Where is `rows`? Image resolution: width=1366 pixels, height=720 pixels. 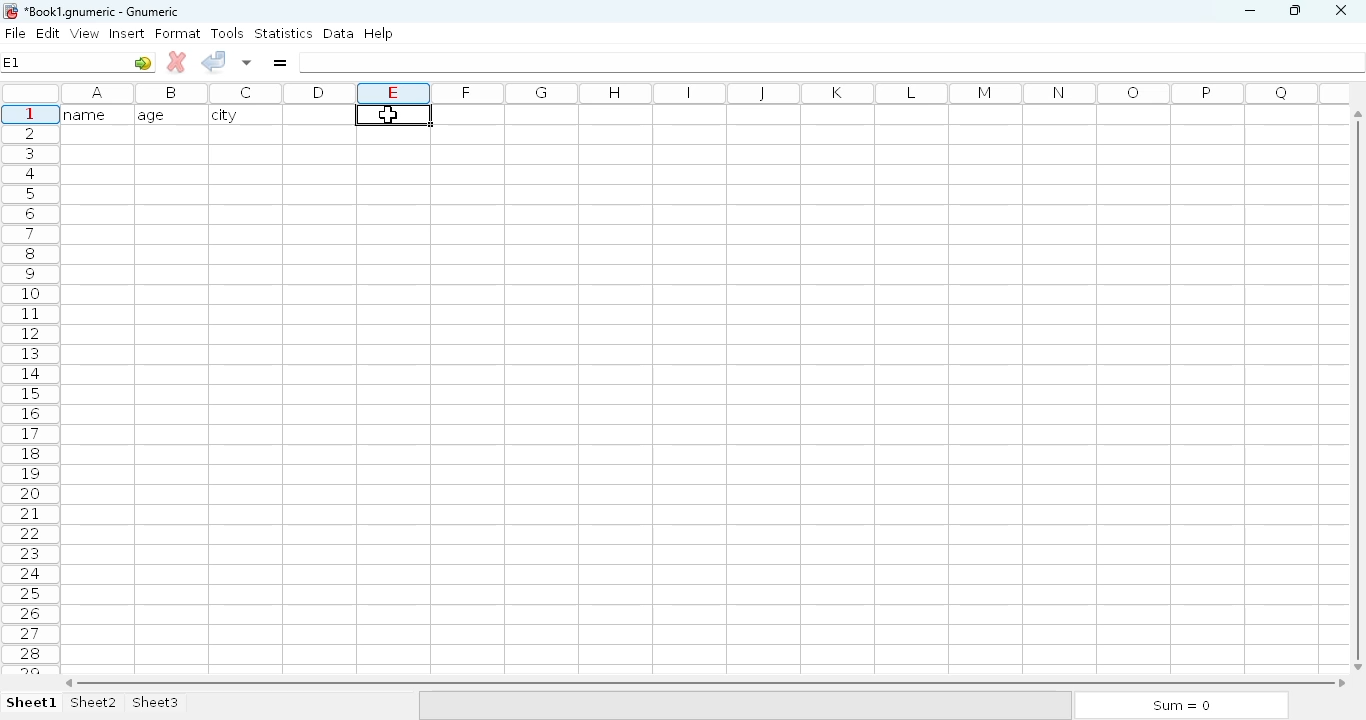
rows is located at coordinates (30, 388).